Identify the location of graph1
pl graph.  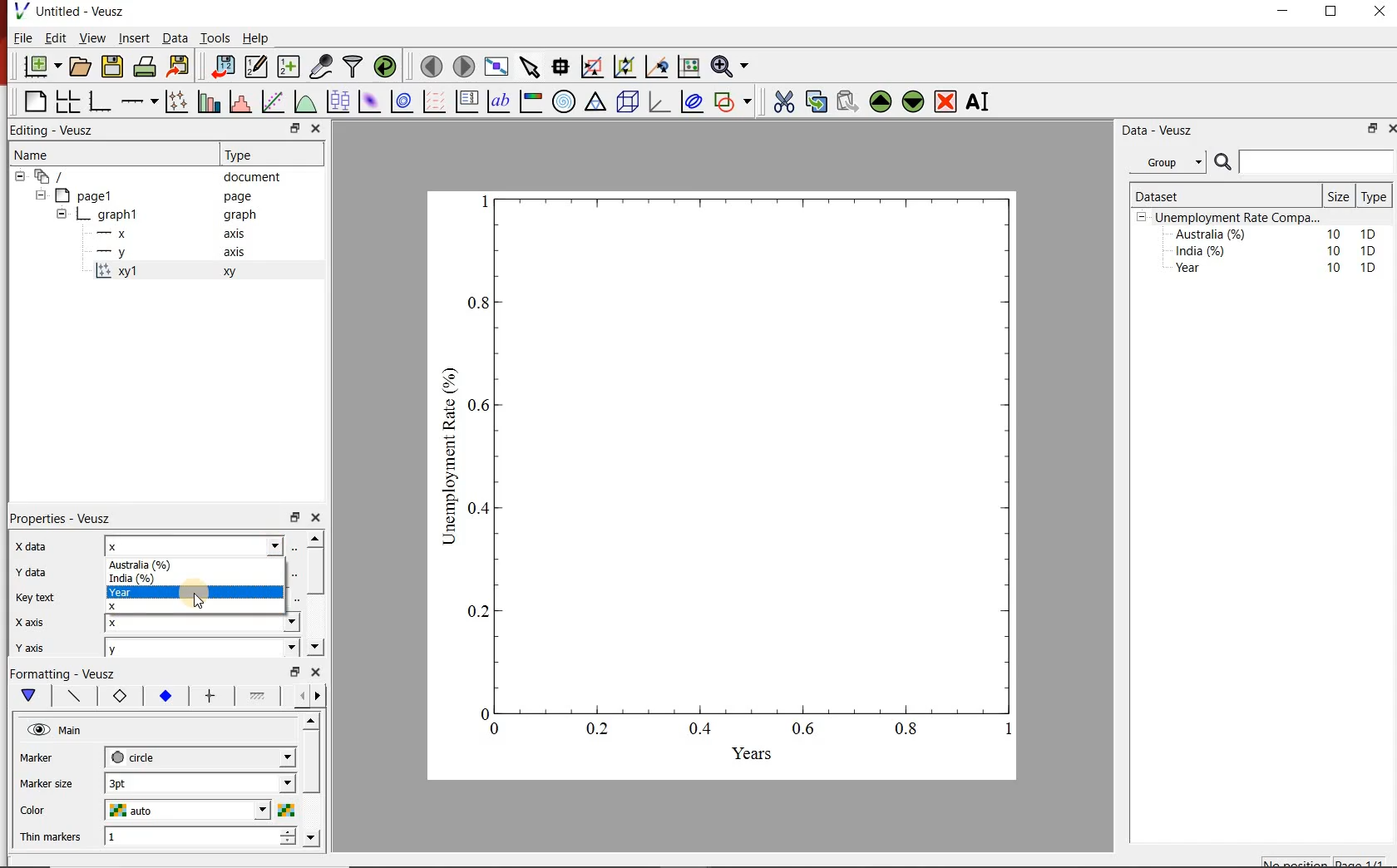
(172, 215).